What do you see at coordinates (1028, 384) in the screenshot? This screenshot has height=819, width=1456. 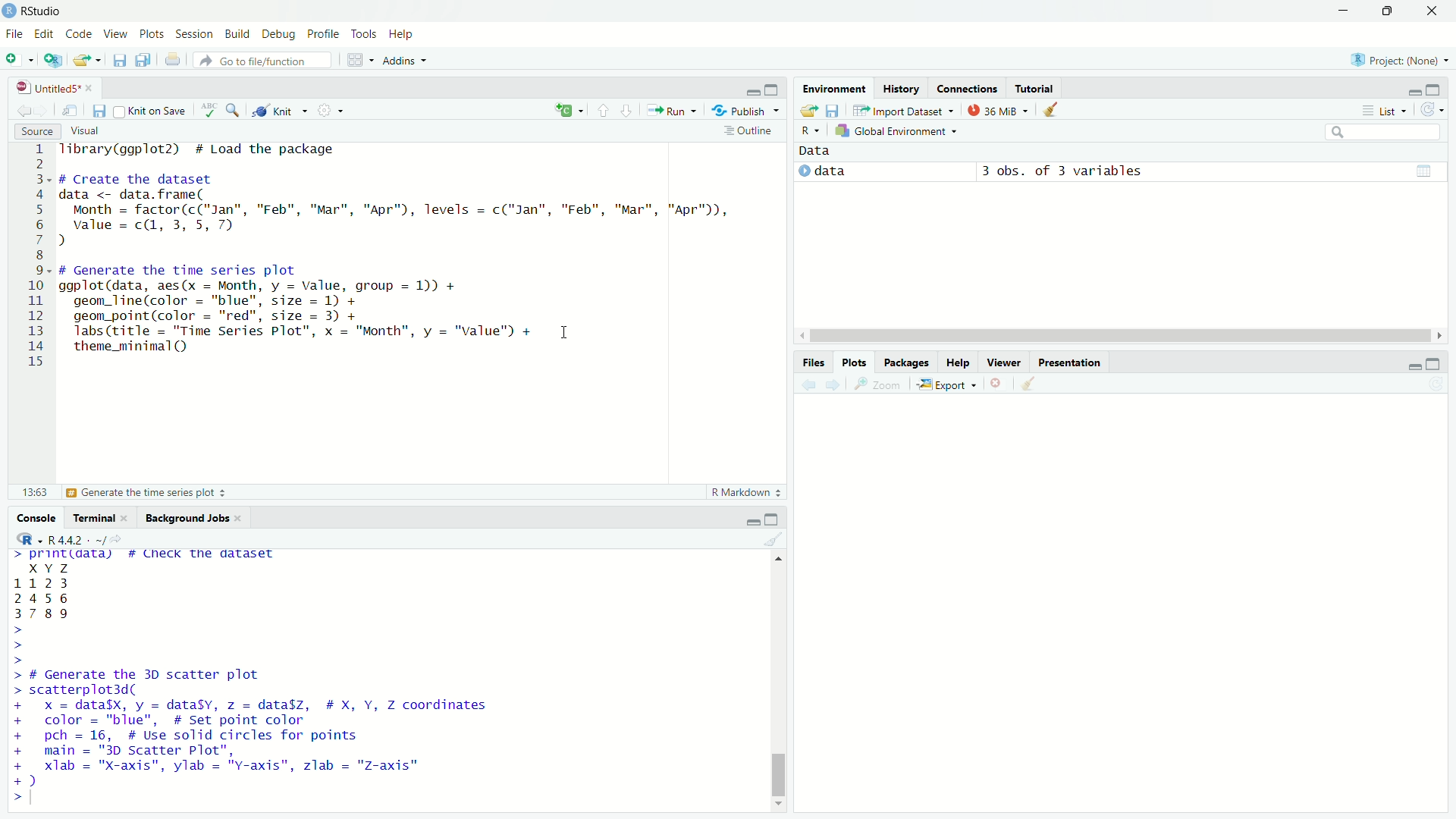 I see `clear all plots` at bounding box center [1028, 384].